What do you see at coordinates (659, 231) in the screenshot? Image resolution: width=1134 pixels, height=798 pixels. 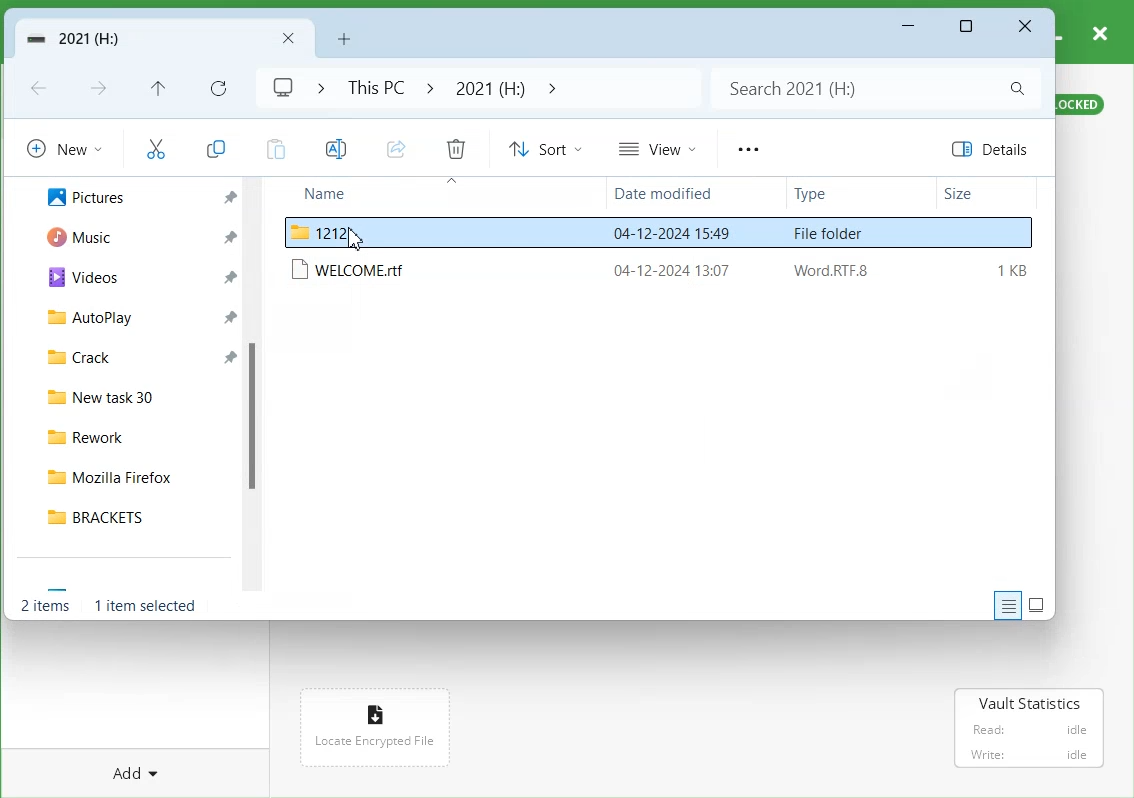 I see `file folder` at bounding box center [659, 231].